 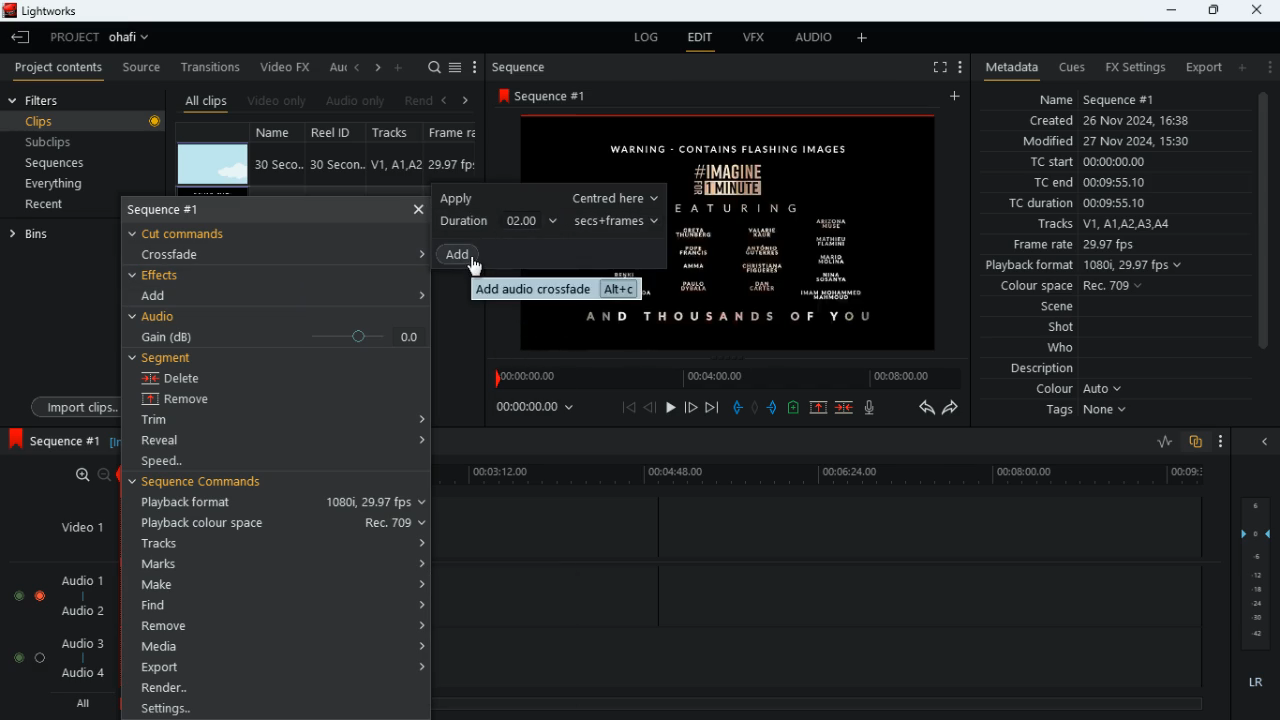 What do you see at coordinates (1066, 287) in the screenshot?
I see `colour space` at bounding box center [1066, 287].